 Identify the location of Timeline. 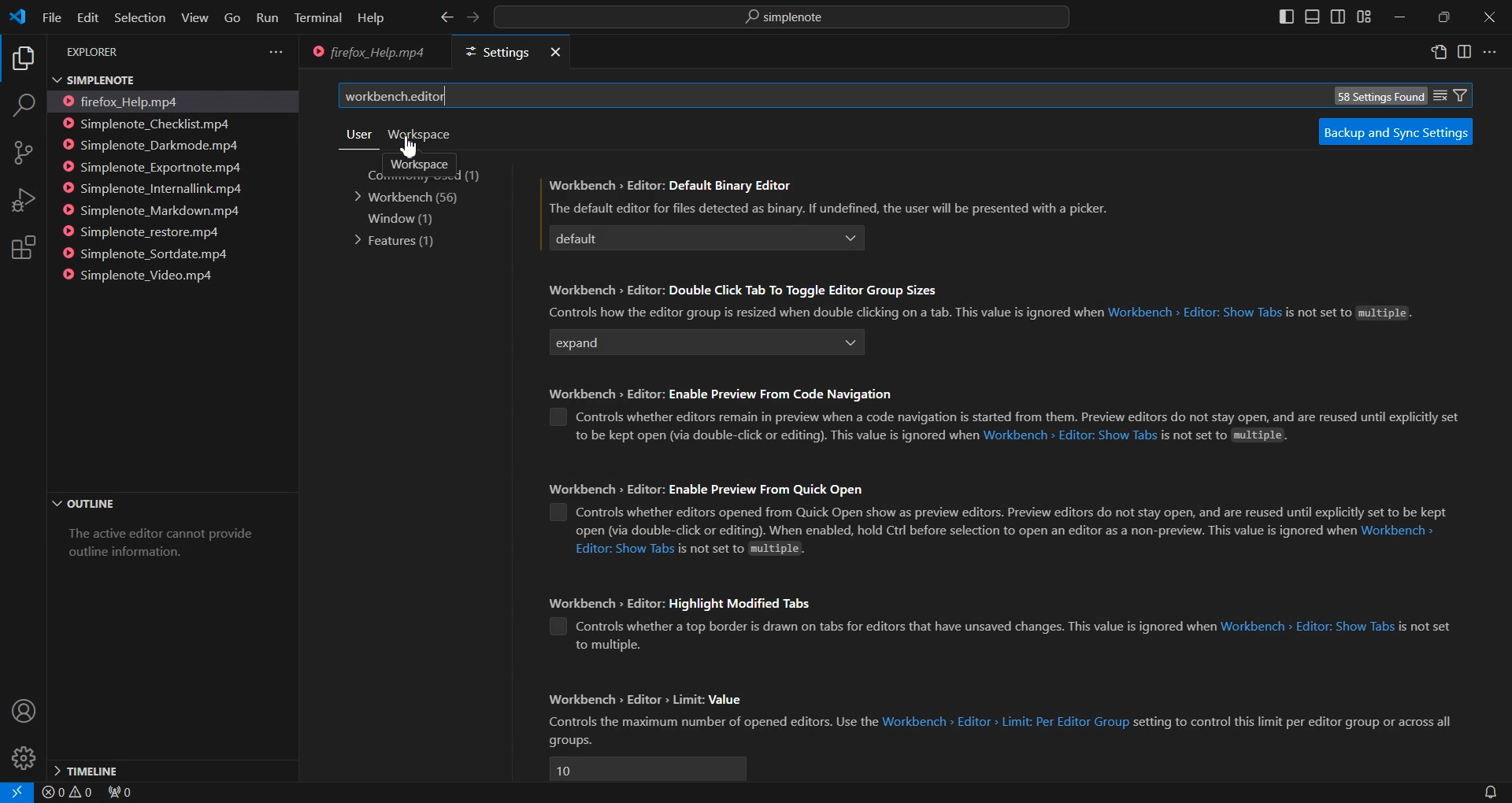
(171, 769).